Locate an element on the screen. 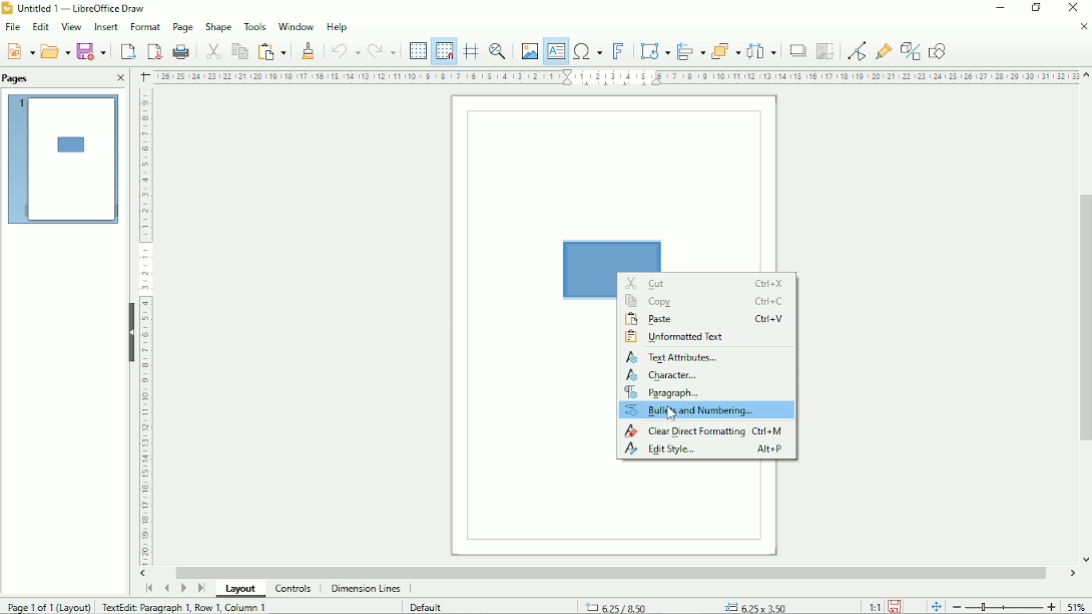 Image resolution: width=1092 pixels, height=614 pixels. 6.25/8.50 is located at coordinates (619, 606).